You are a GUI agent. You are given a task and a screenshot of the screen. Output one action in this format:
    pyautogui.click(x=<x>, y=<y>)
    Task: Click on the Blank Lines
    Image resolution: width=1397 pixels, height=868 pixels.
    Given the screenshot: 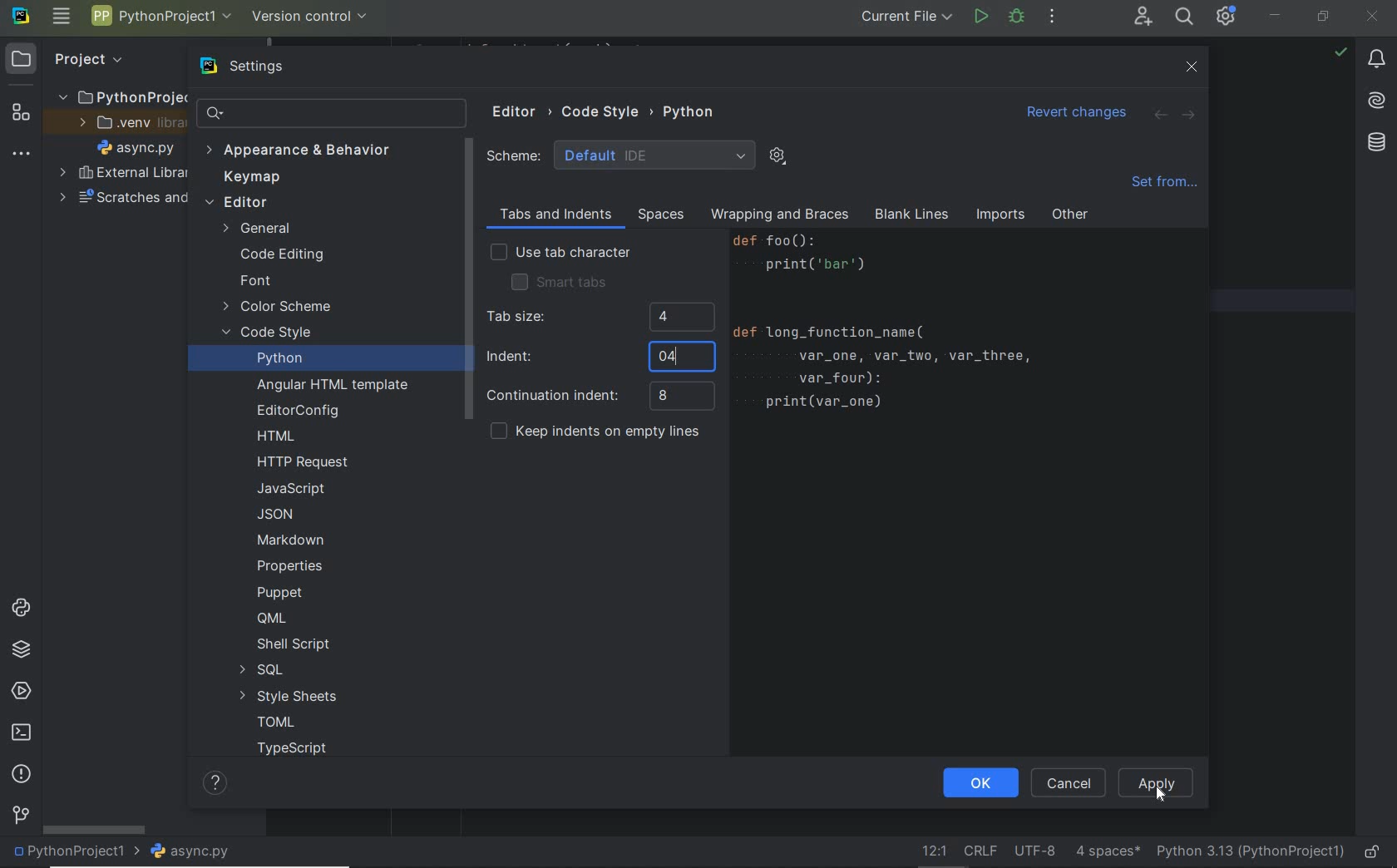 What is the action you would take?
    pyautogui.click(x=912, y=216)
    